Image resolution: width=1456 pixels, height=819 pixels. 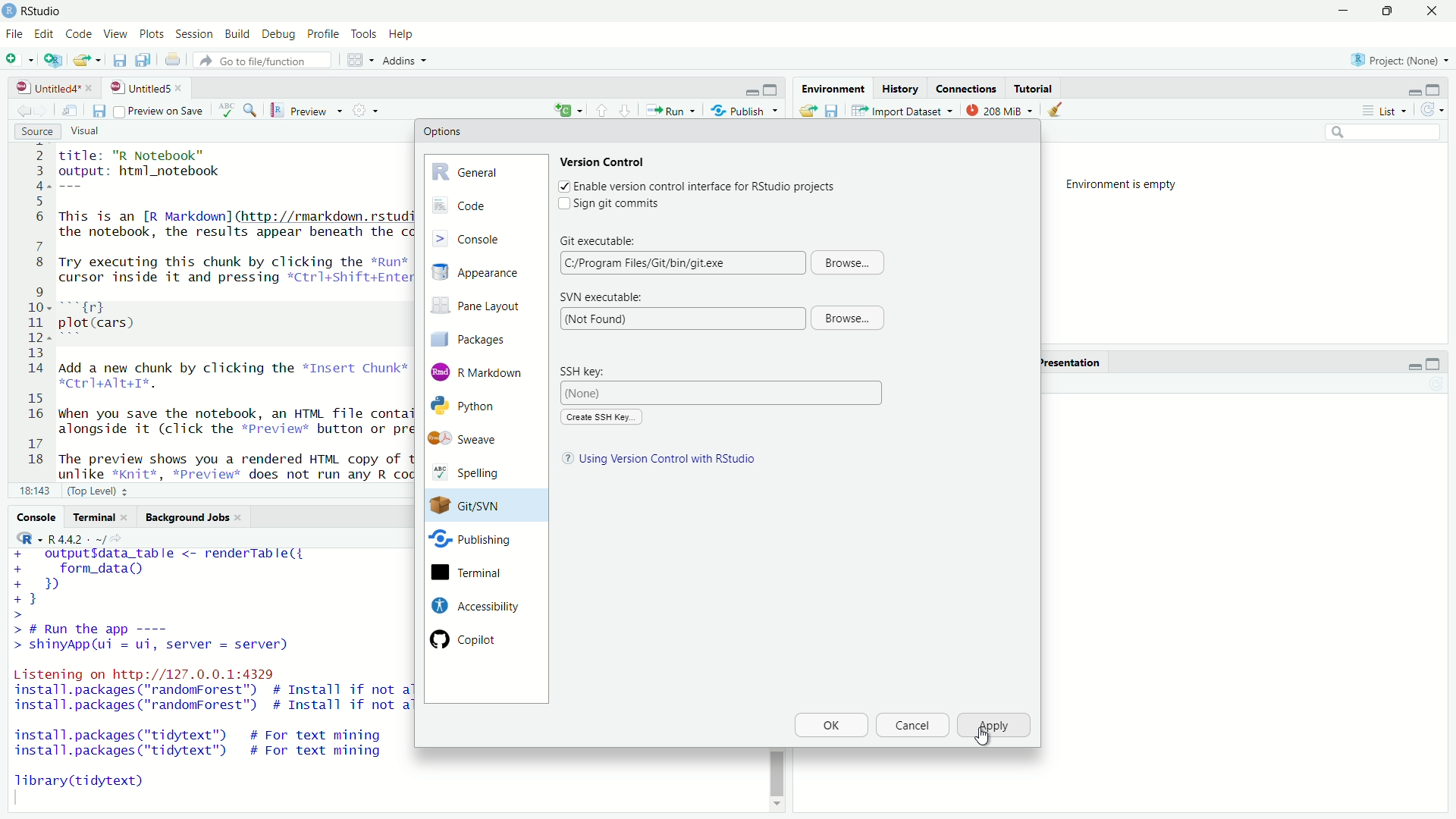 What do you see at coordinates (369, 110) in the screenshot?
I see `settings` at bounding box center [369, 110].